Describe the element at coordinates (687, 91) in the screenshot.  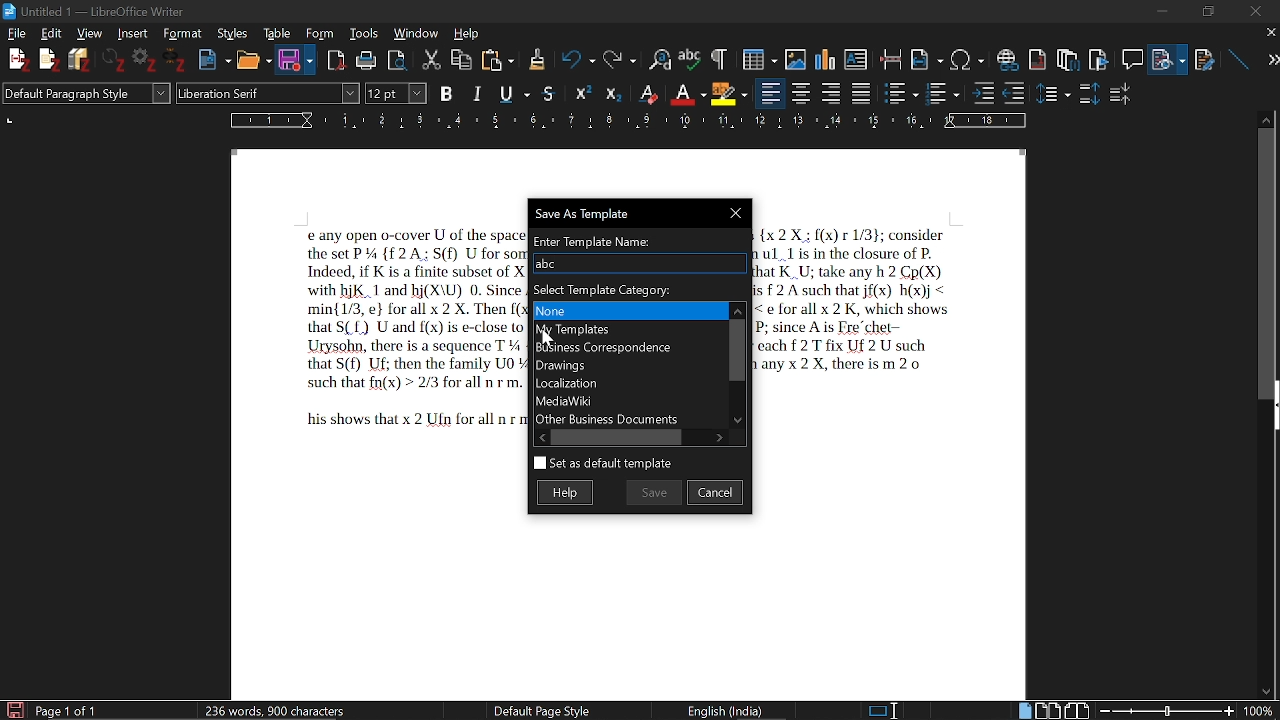
I see `Subscript` at that location.